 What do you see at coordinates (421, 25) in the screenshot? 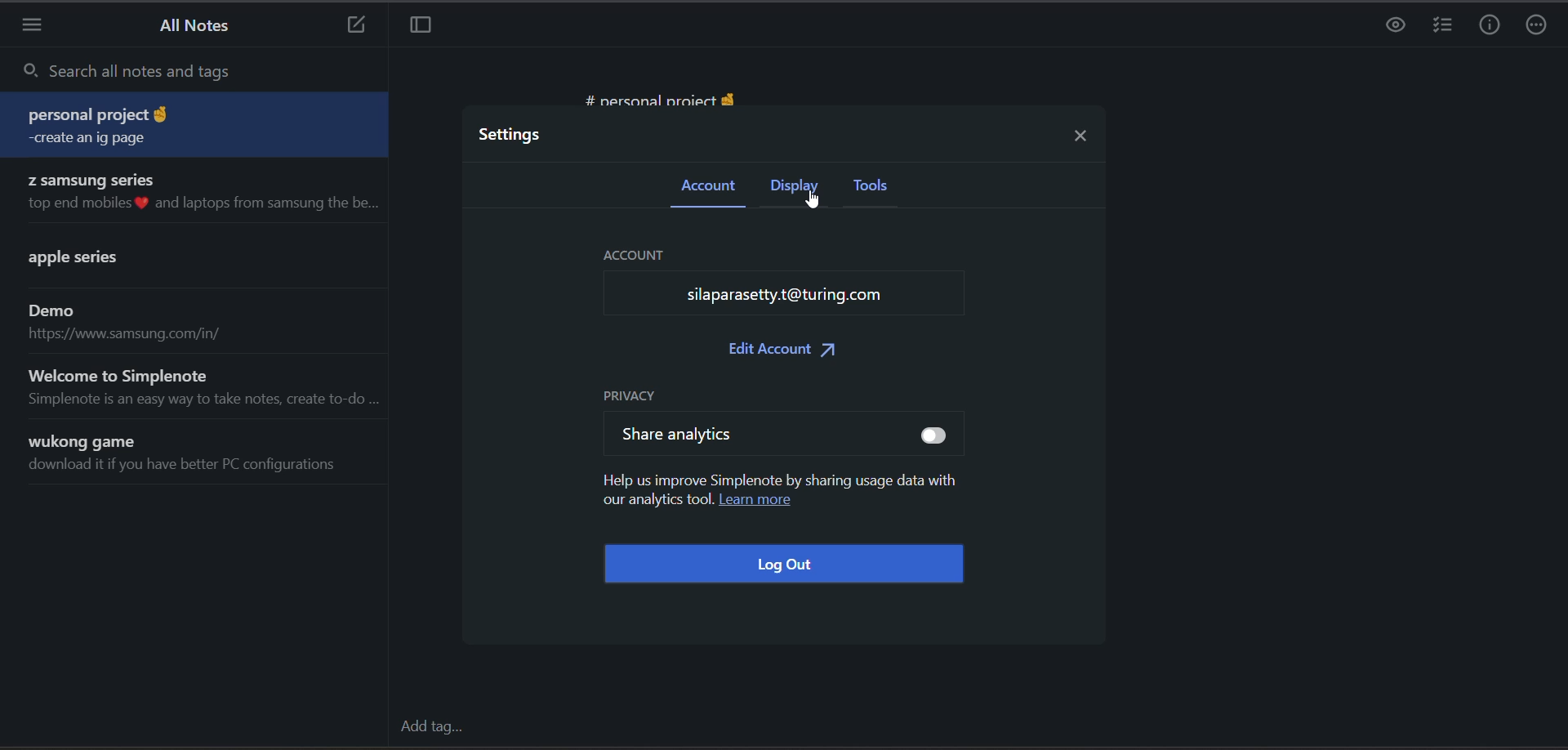
I see `toggle focus mode` at bounding box center [421, 25].